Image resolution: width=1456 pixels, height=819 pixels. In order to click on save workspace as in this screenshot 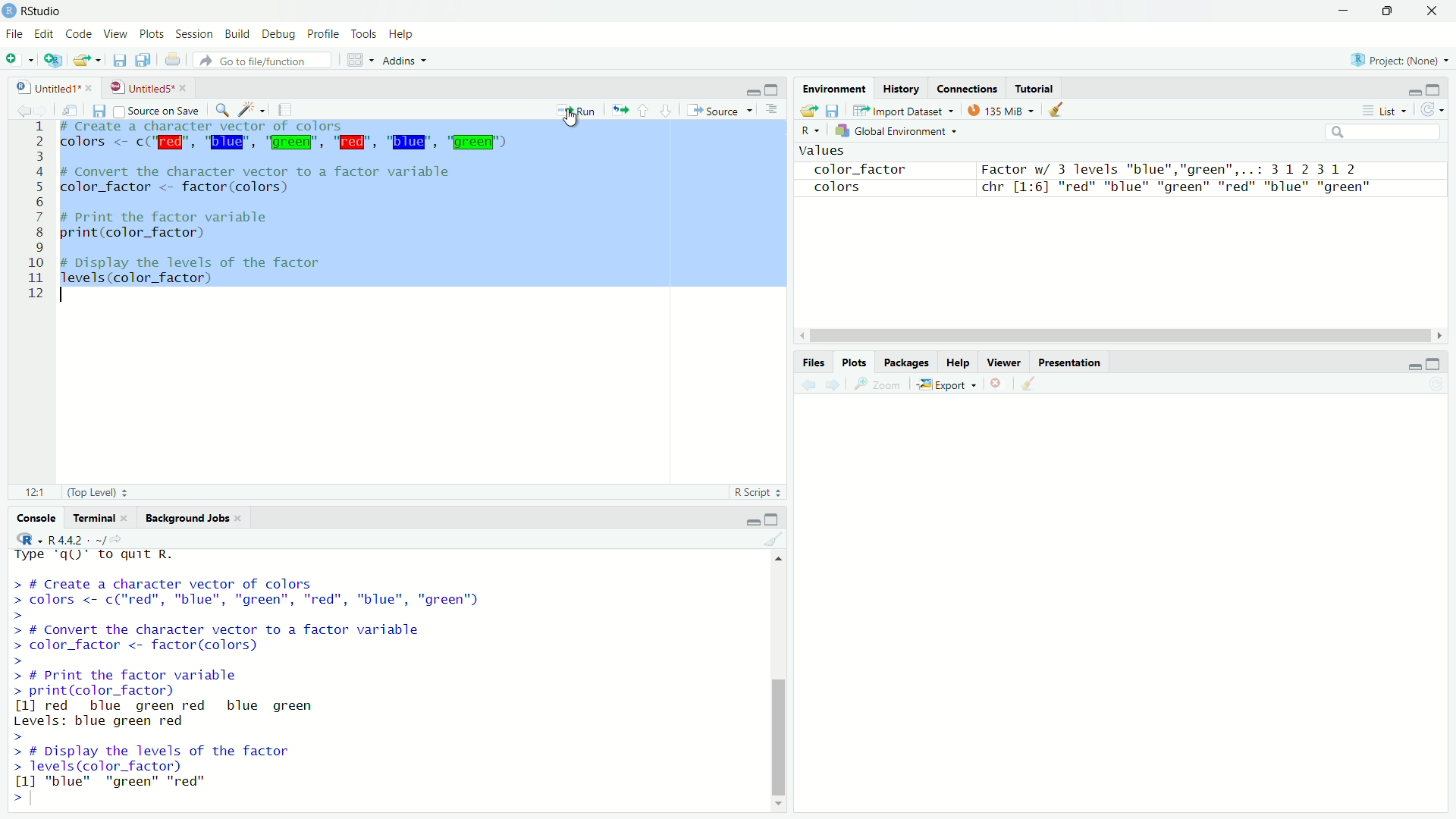, I will do `click(837, 111)`.